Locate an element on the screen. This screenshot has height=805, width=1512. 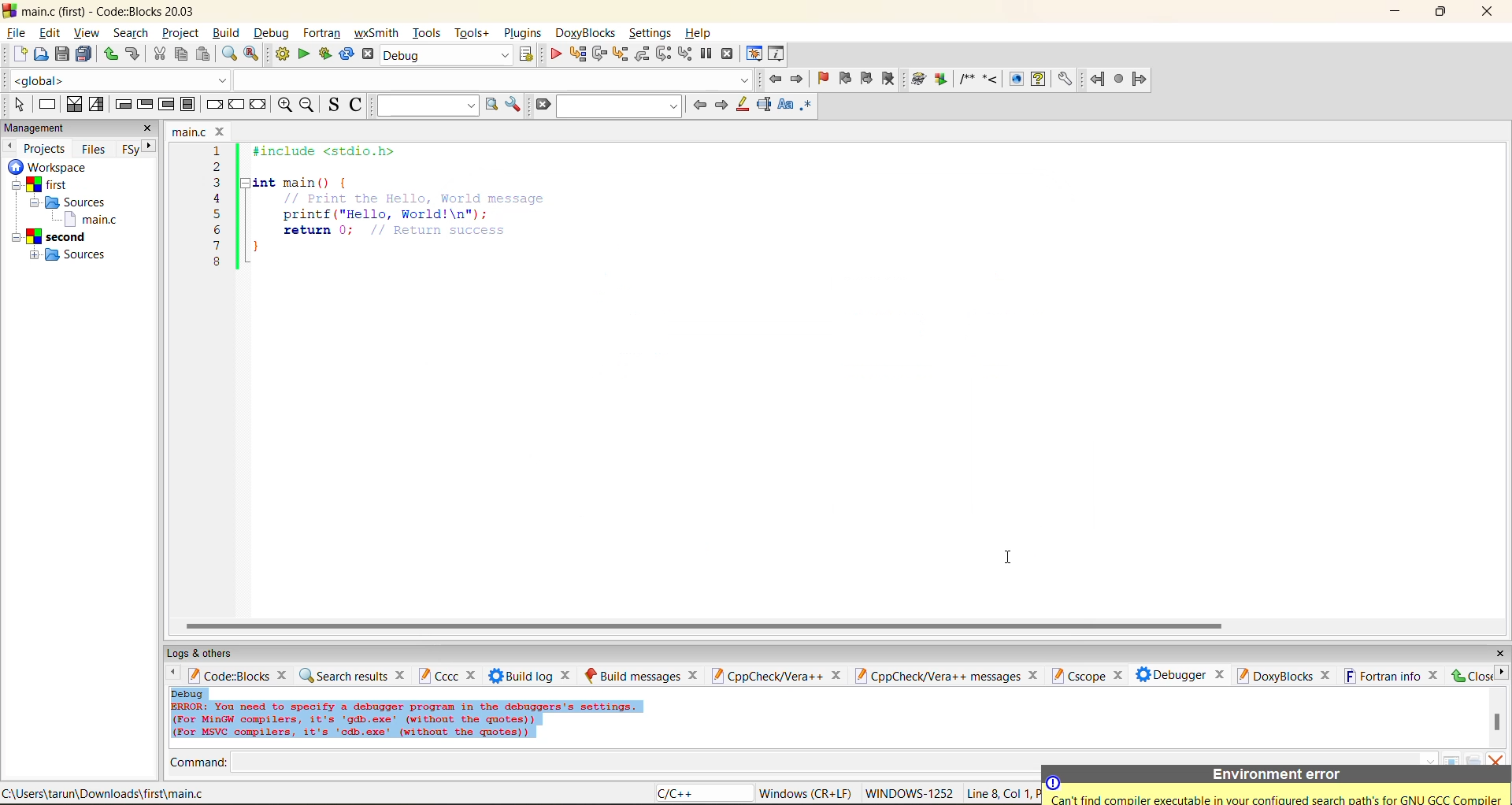
next is located at coordinates (150, 146).